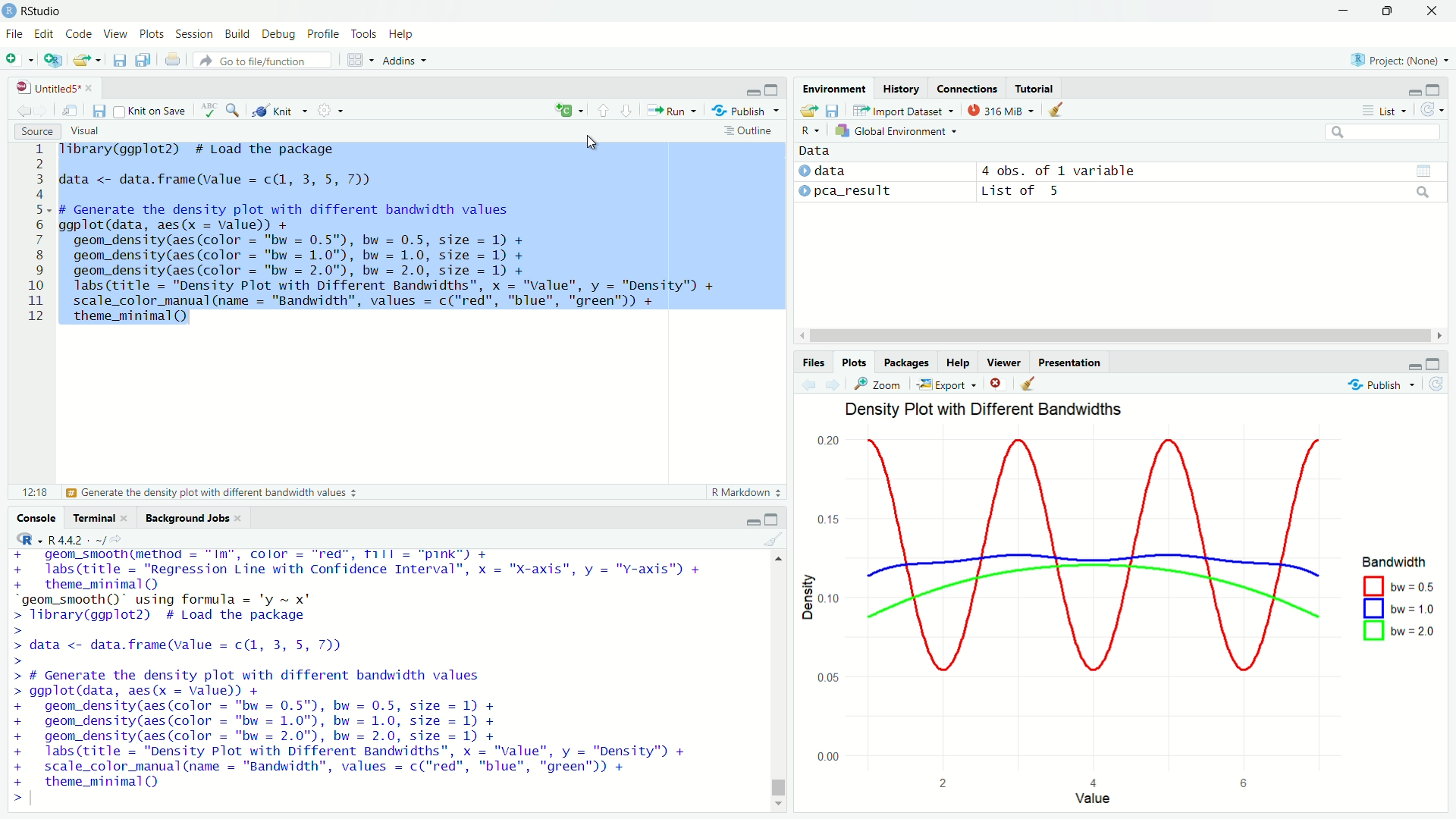  Describe the element at coordinates (751, 89) in the screenshot. I see `minimize` at that location.